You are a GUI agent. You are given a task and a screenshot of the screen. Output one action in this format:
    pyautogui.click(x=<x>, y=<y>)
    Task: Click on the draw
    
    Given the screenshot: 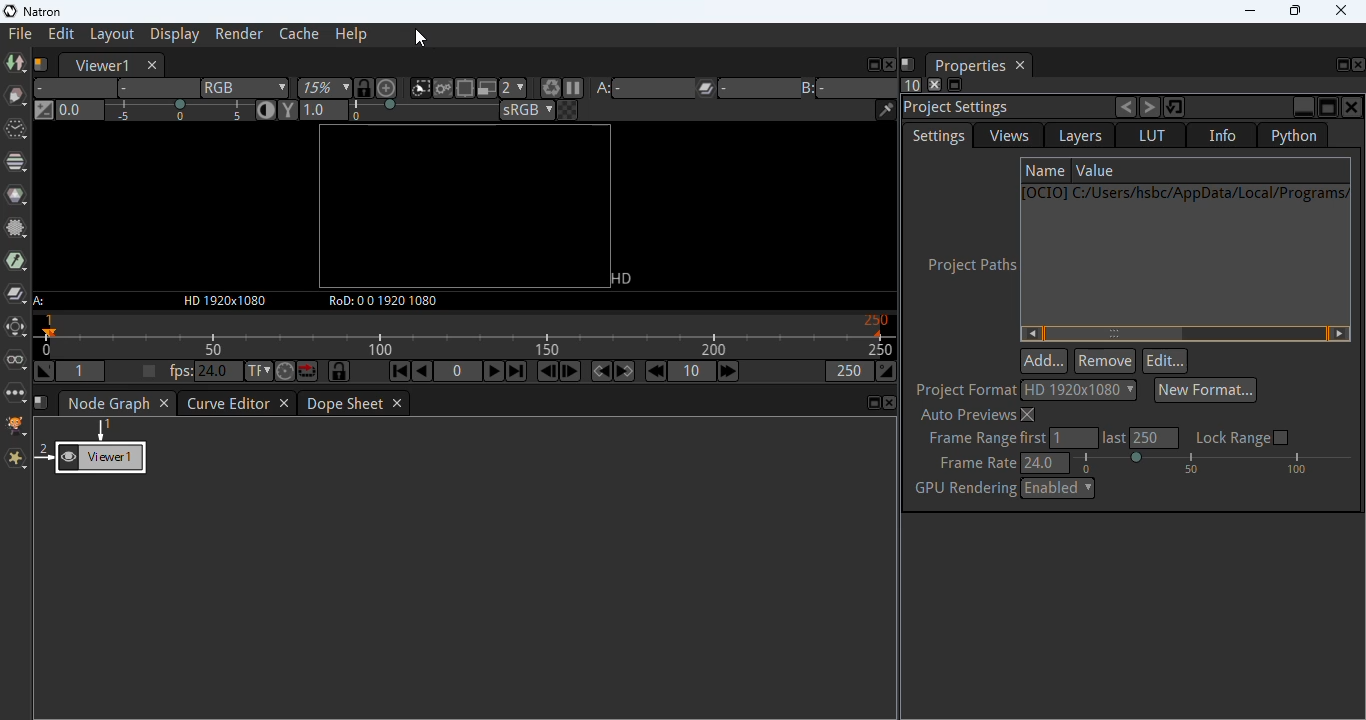 What is the action you would take?
    pyautogui.click(x=15, y=97)
    